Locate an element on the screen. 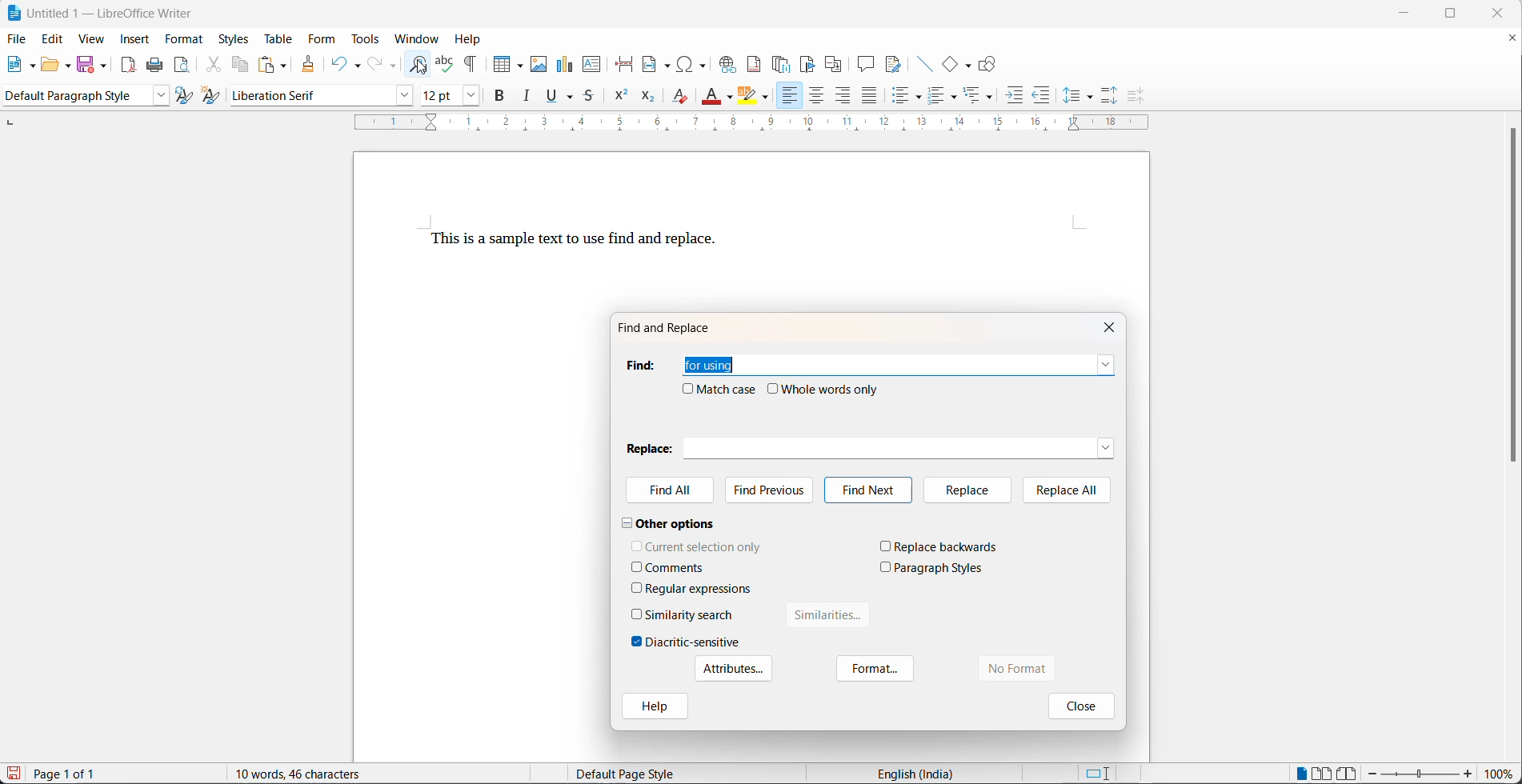  export as pdf is located at coordinates (128, 64).